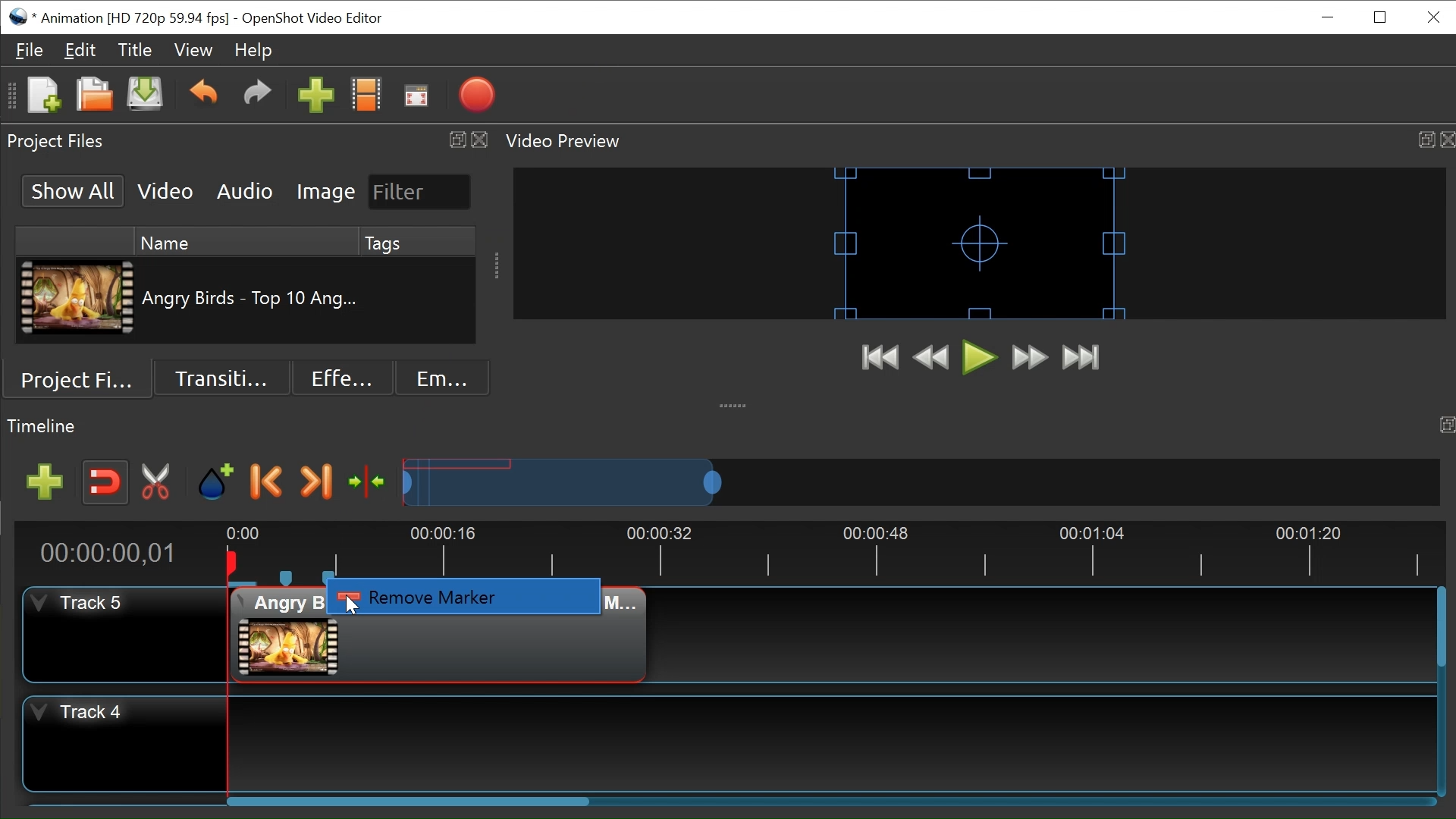 This screenshot has height=819, width=1456. I want to click on Zoom Slider, so click(920, 482).